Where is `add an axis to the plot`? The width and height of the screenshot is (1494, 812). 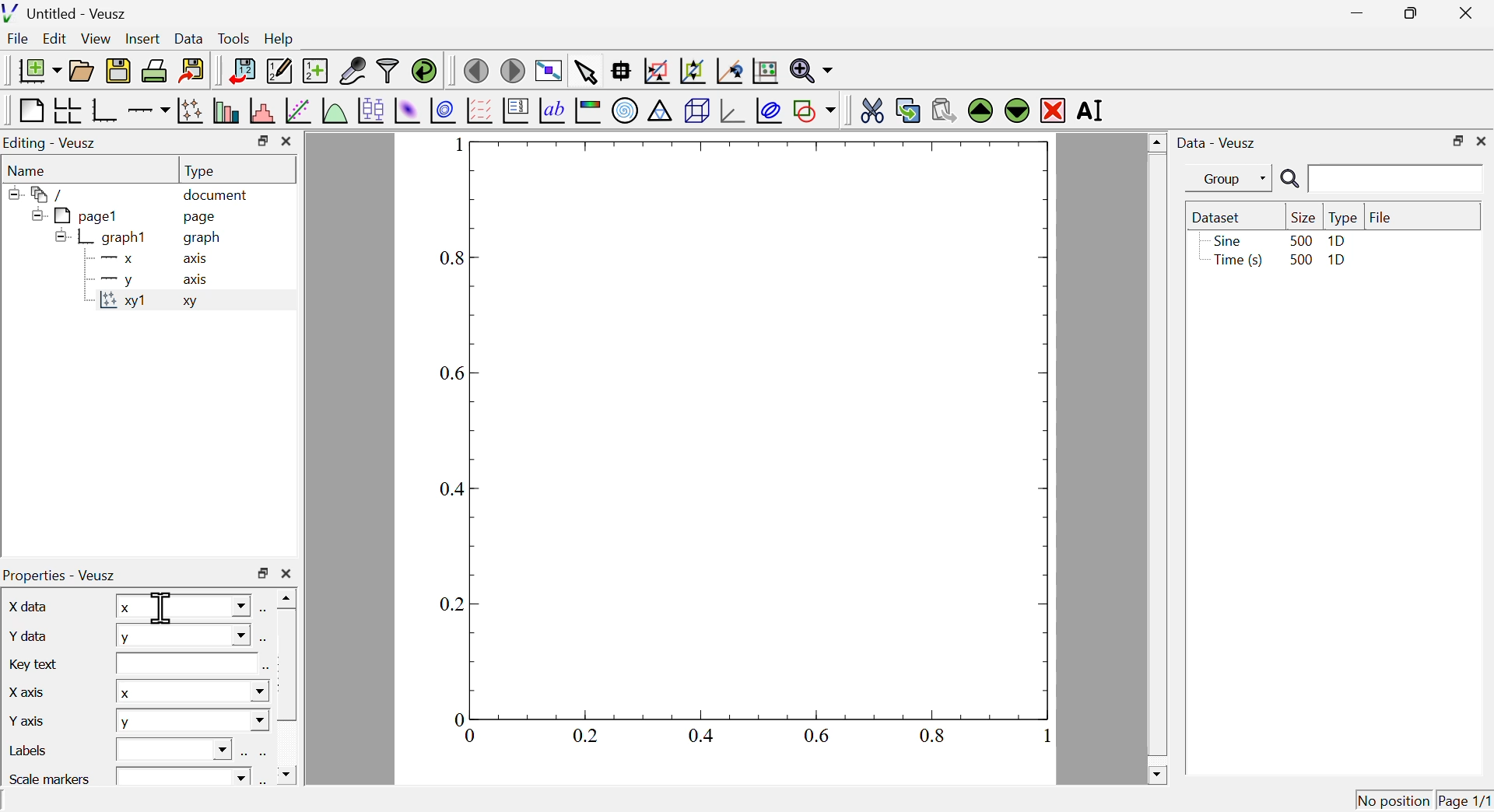
add an axis to the plot is located at coordinates (149, 110).